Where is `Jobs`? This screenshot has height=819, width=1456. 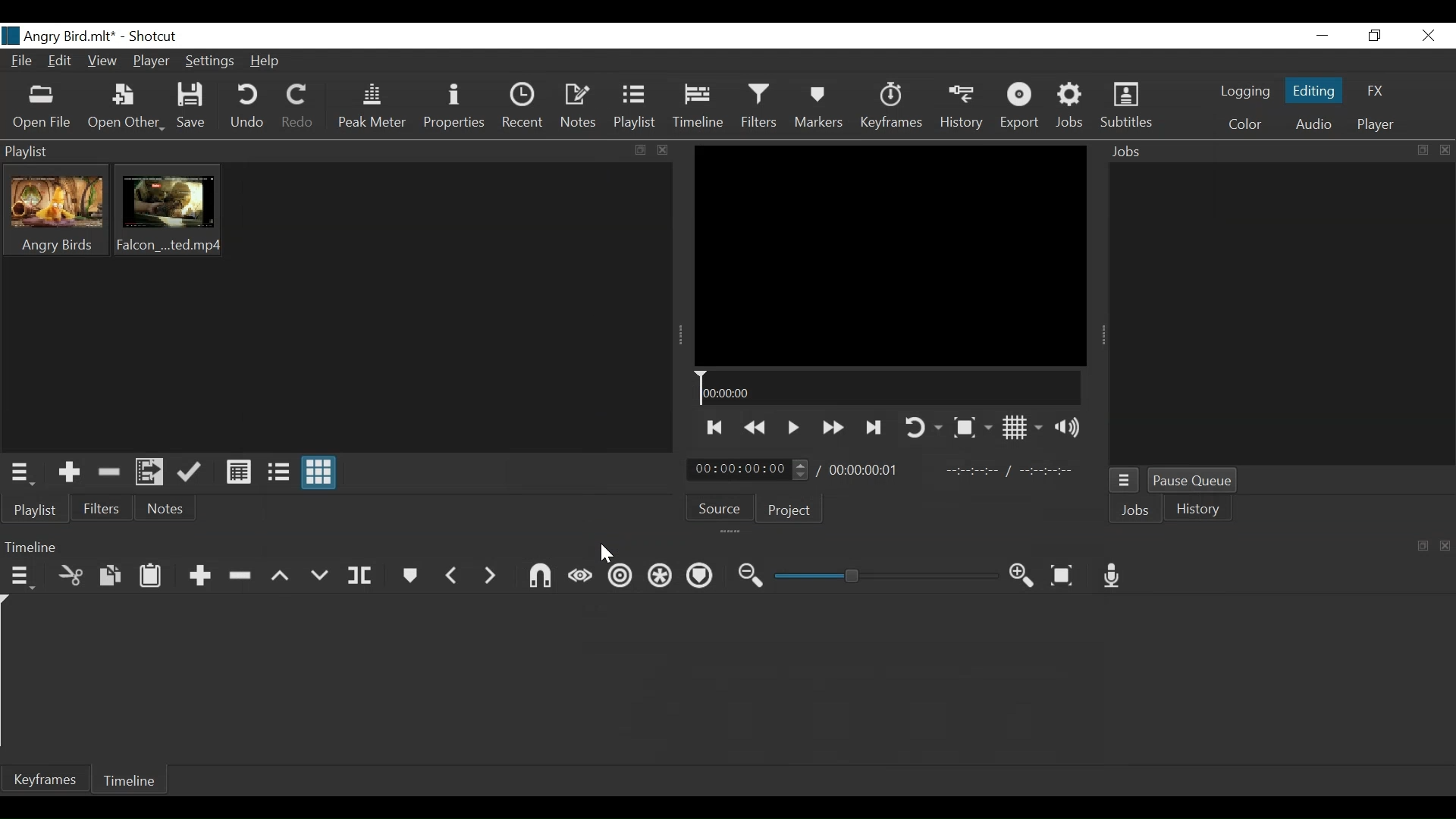
Jobs is located at coordinates (1075, 106).